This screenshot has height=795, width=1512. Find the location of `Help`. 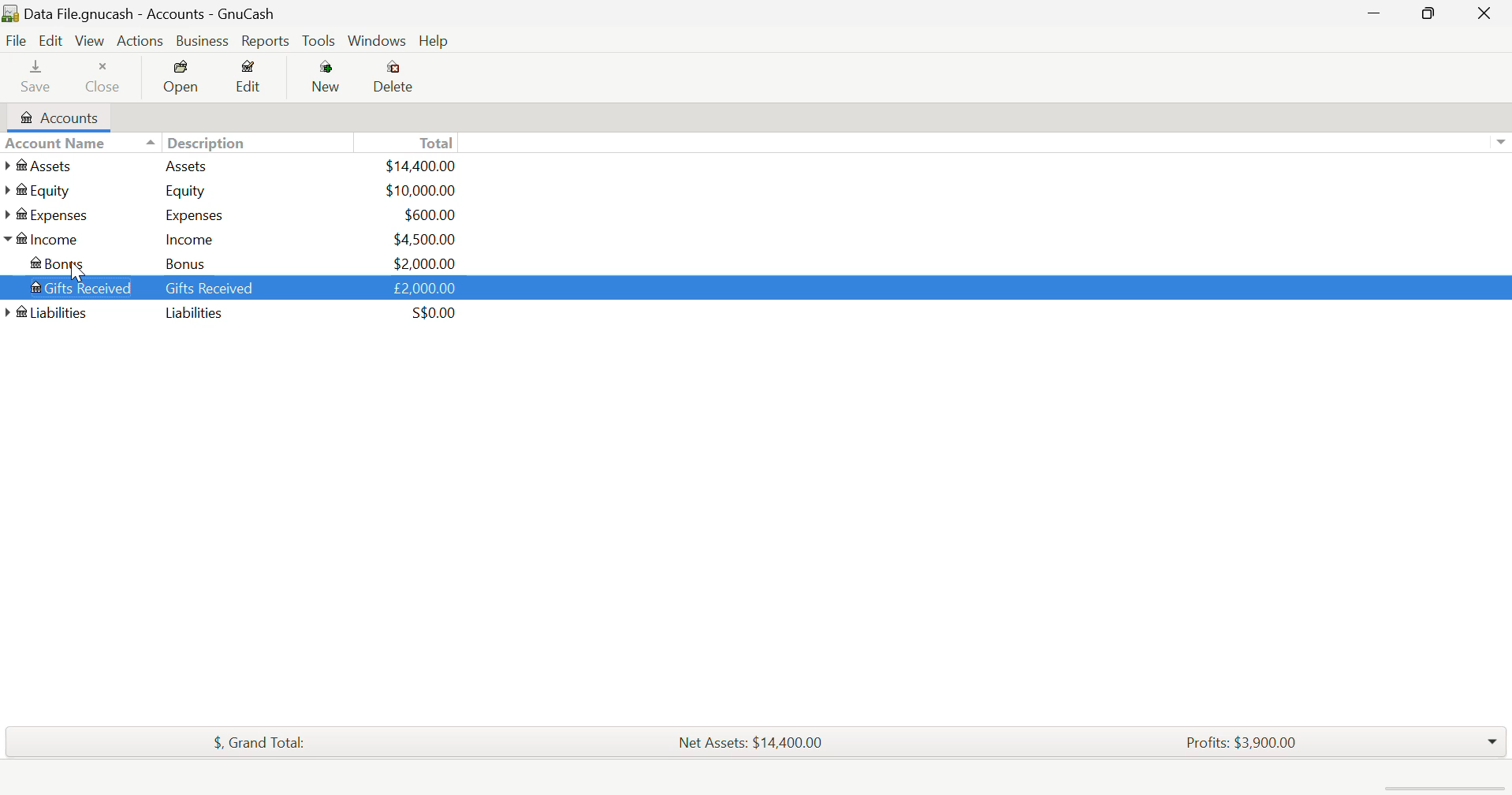

Help is located at coordinates (434, 39).